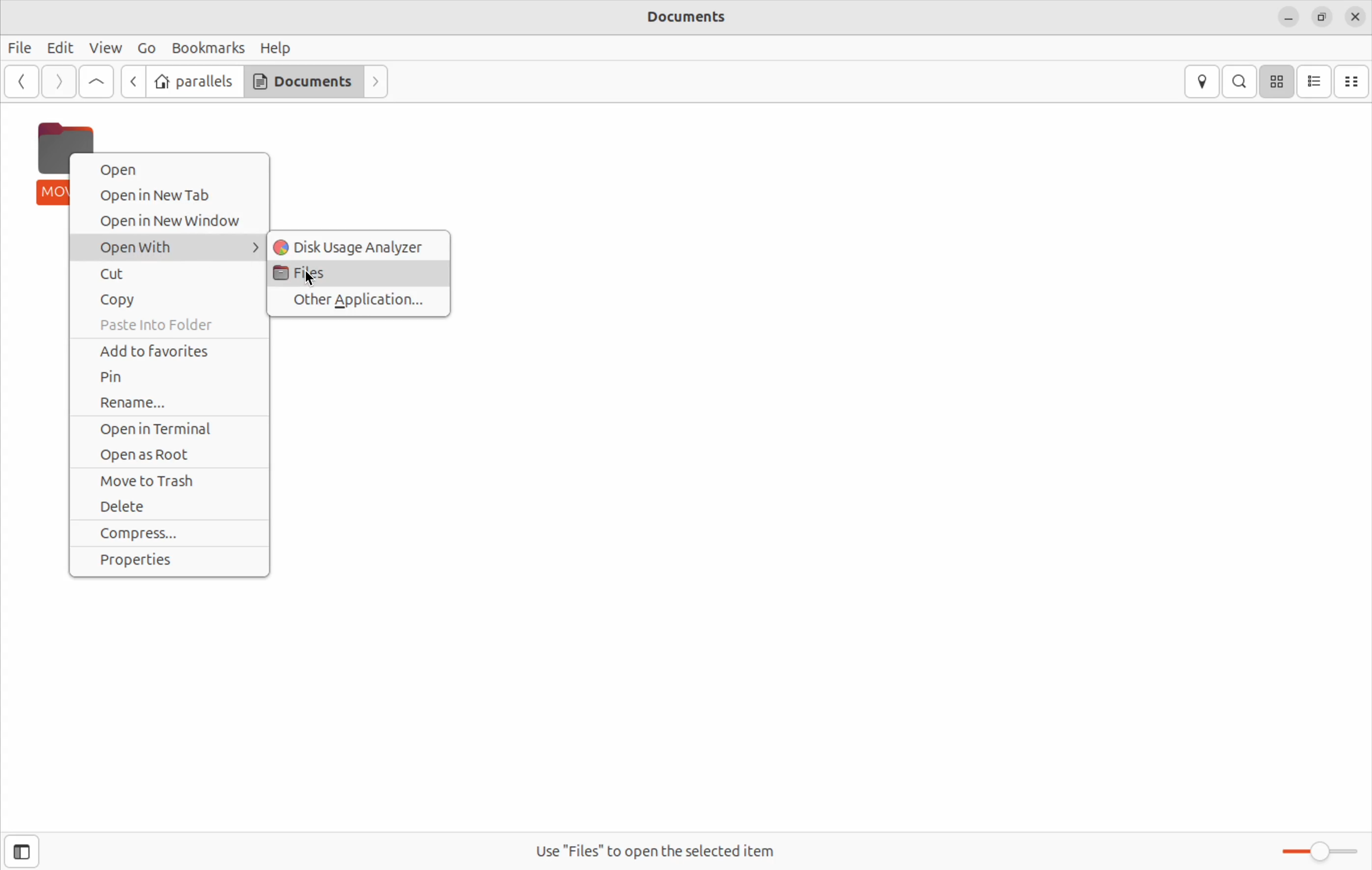 This screenshot has width=1372, height=870. I want to click on Rename, so click(169, 402).